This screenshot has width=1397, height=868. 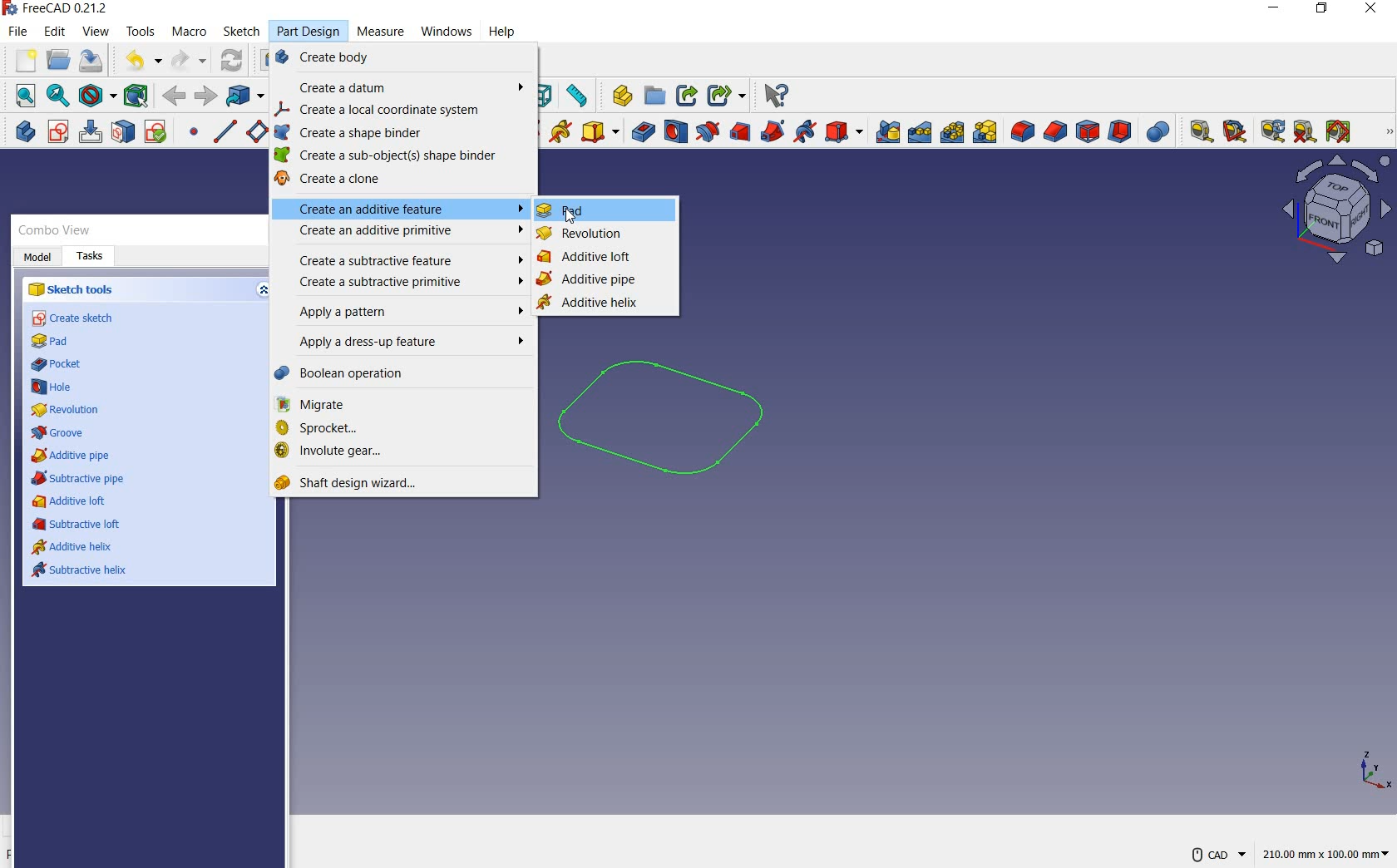 What do you see at coordinates (1377, 774) in the screenshot?
I see `xyz points` at bounding box center [1377, 774].